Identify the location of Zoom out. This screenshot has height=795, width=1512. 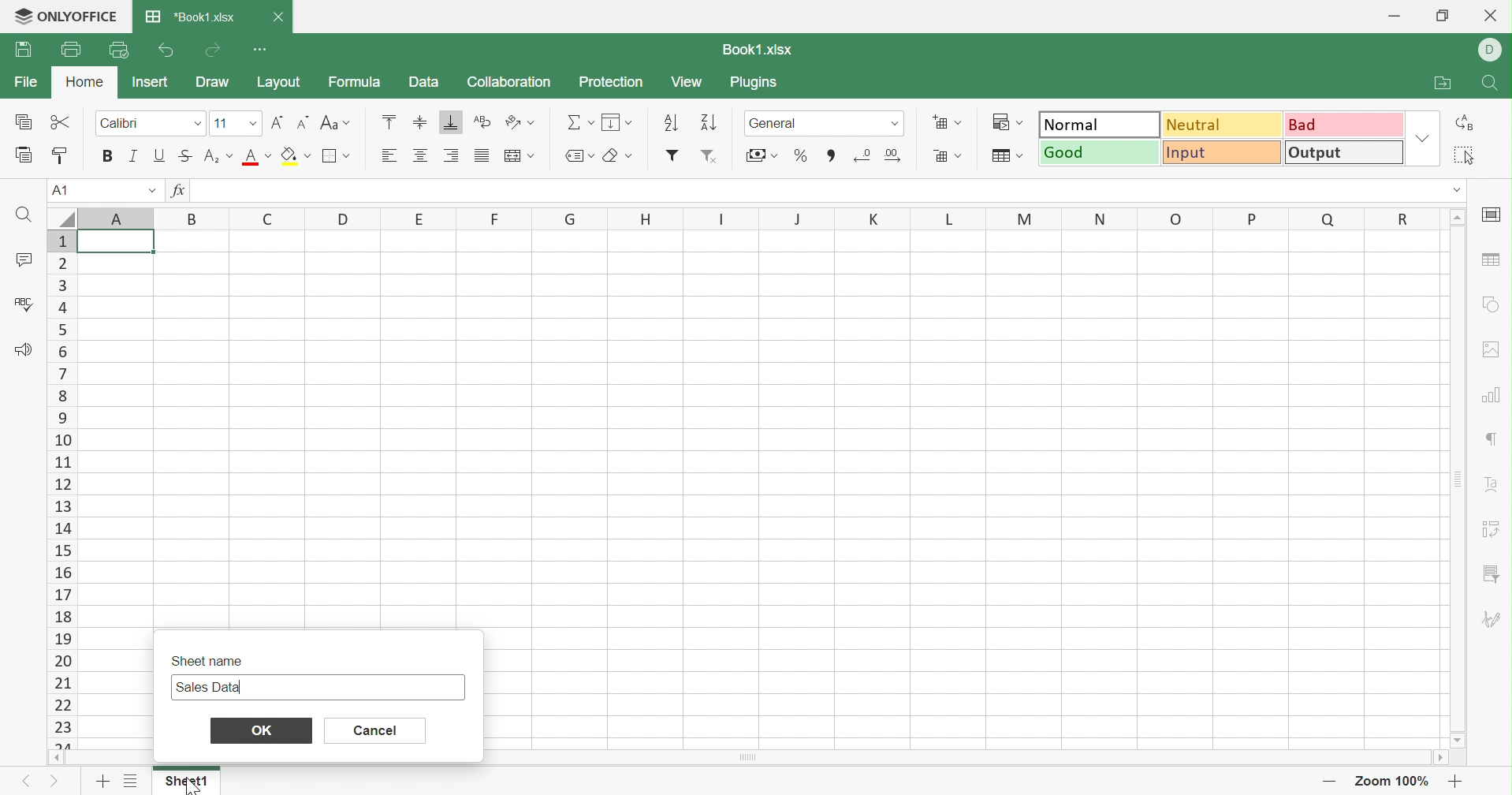
(1329, 780).